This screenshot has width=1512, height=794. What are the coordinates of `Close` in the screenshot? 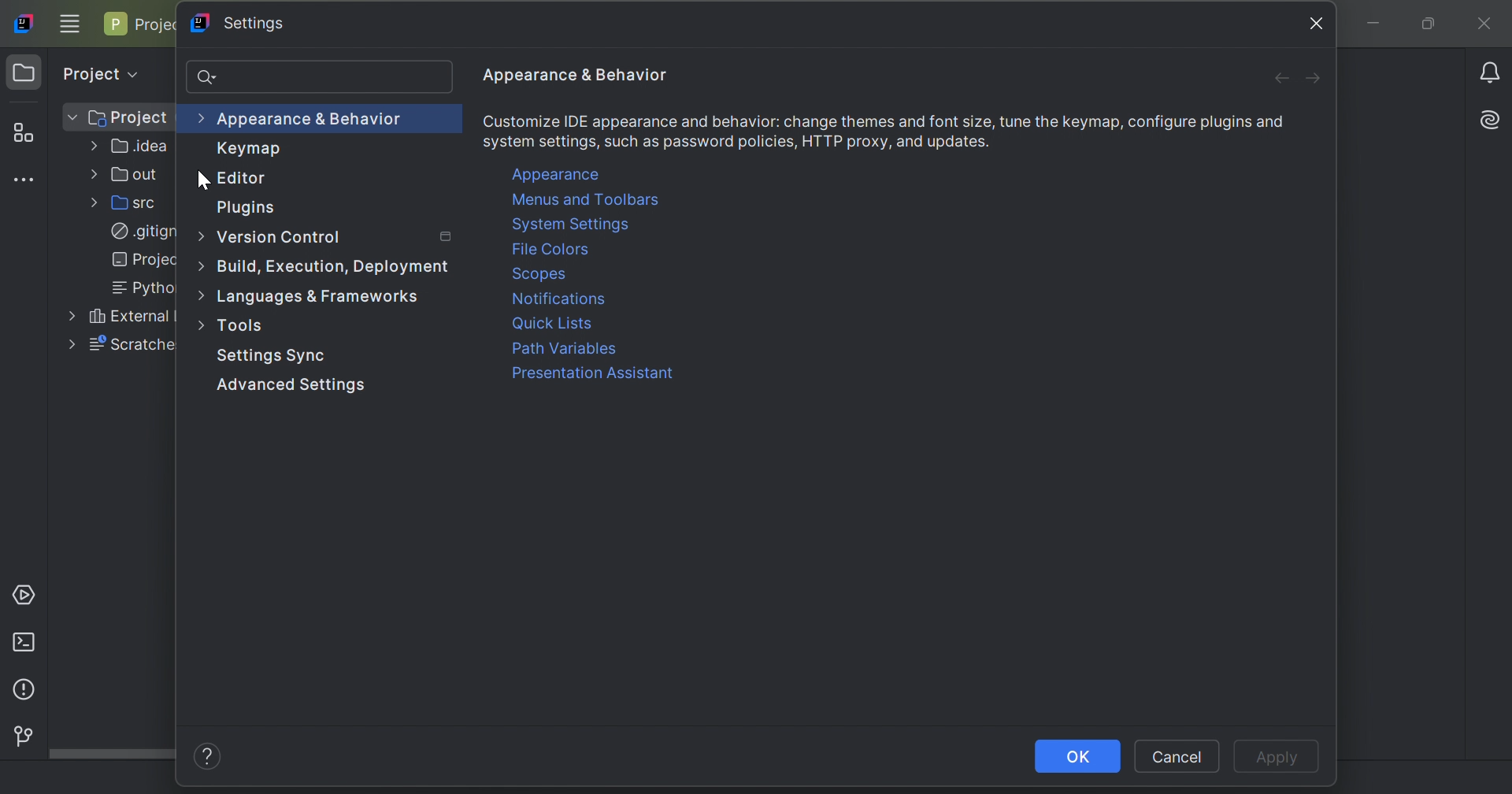 It's located at (1488, 25).